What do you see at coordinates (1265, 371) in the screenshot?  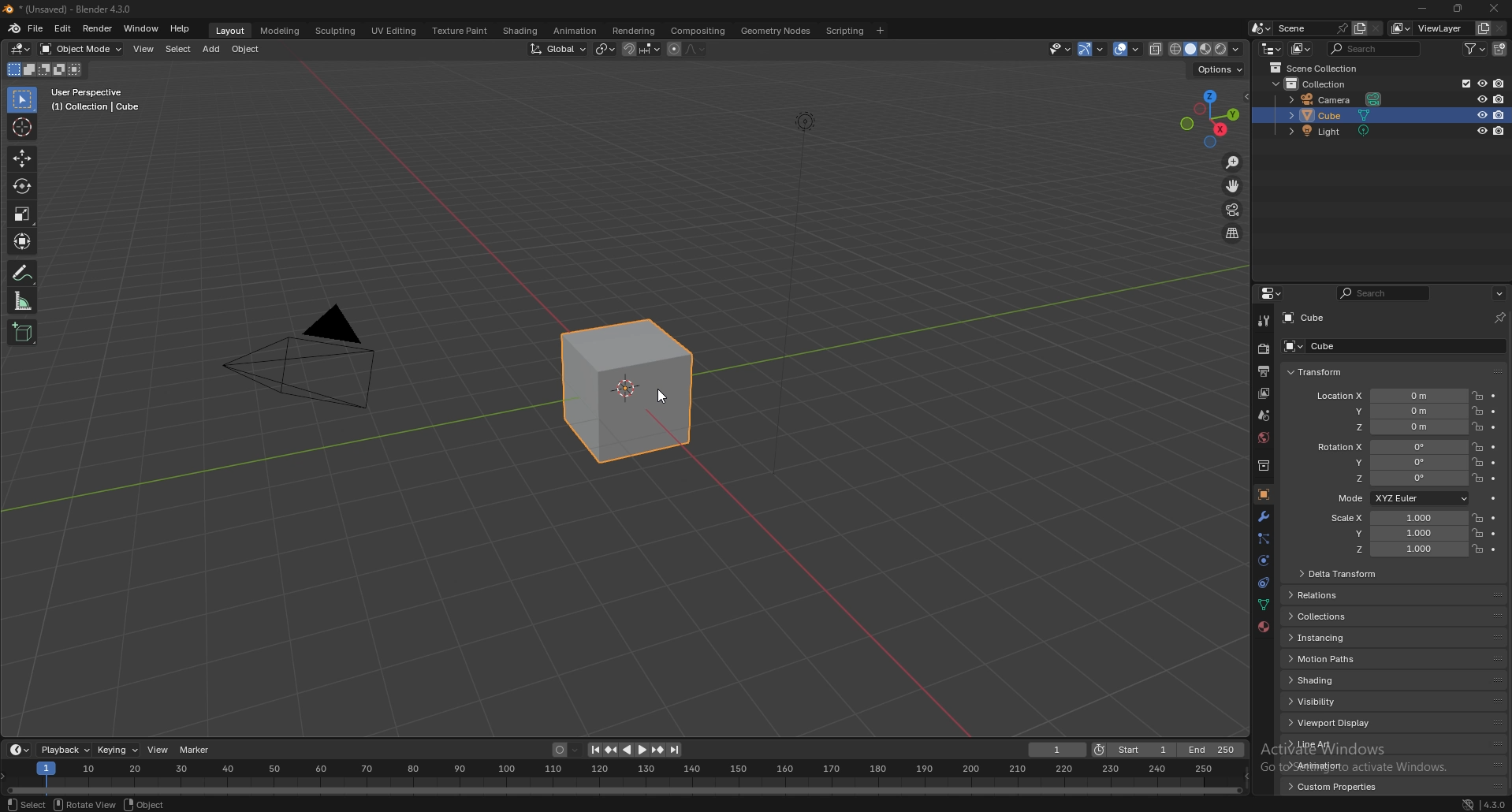 I see `output` at bounding box center [1265, 371].